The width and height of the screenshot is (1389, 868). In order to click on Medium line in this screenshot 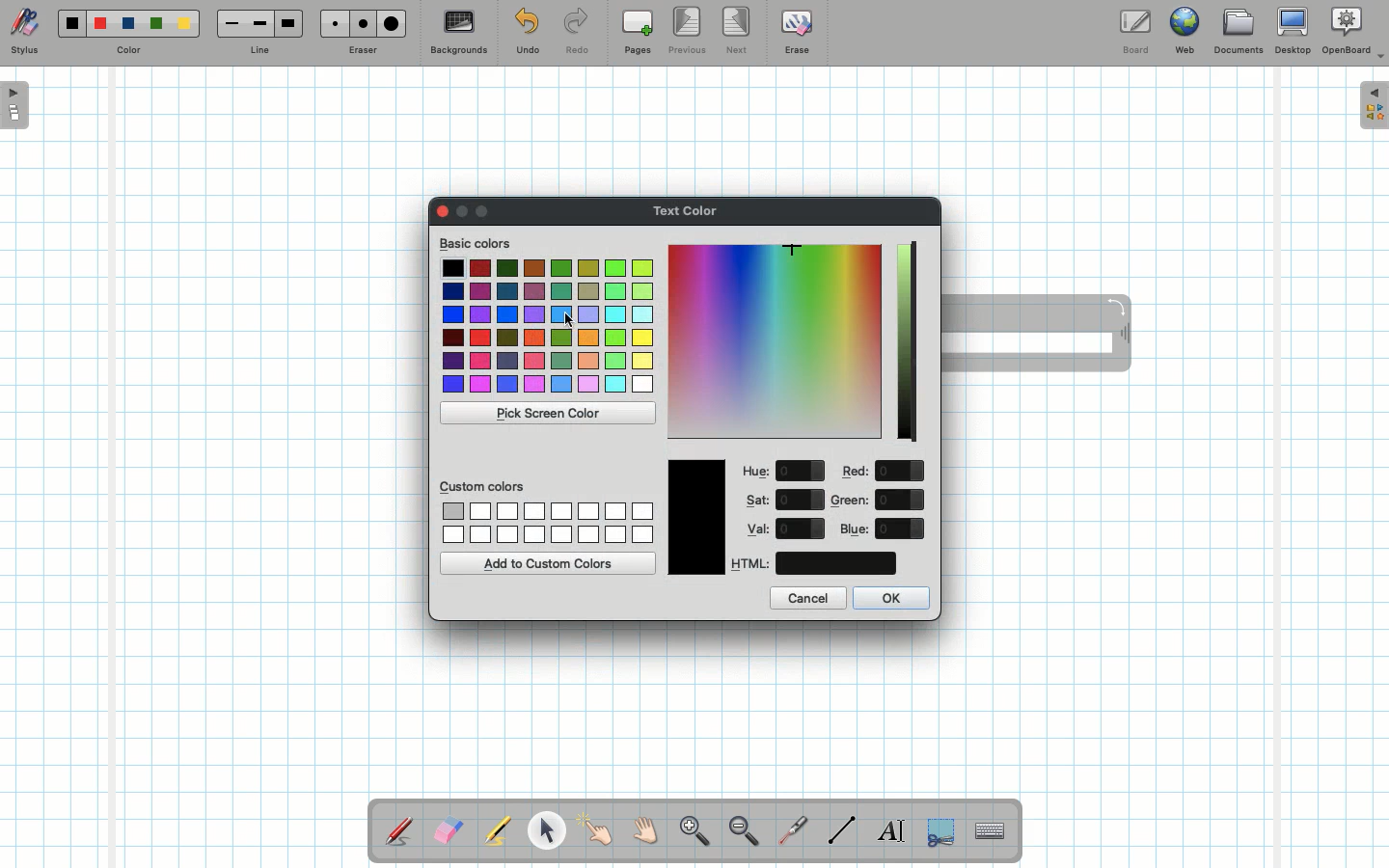, I will do `click(259, 23)`.